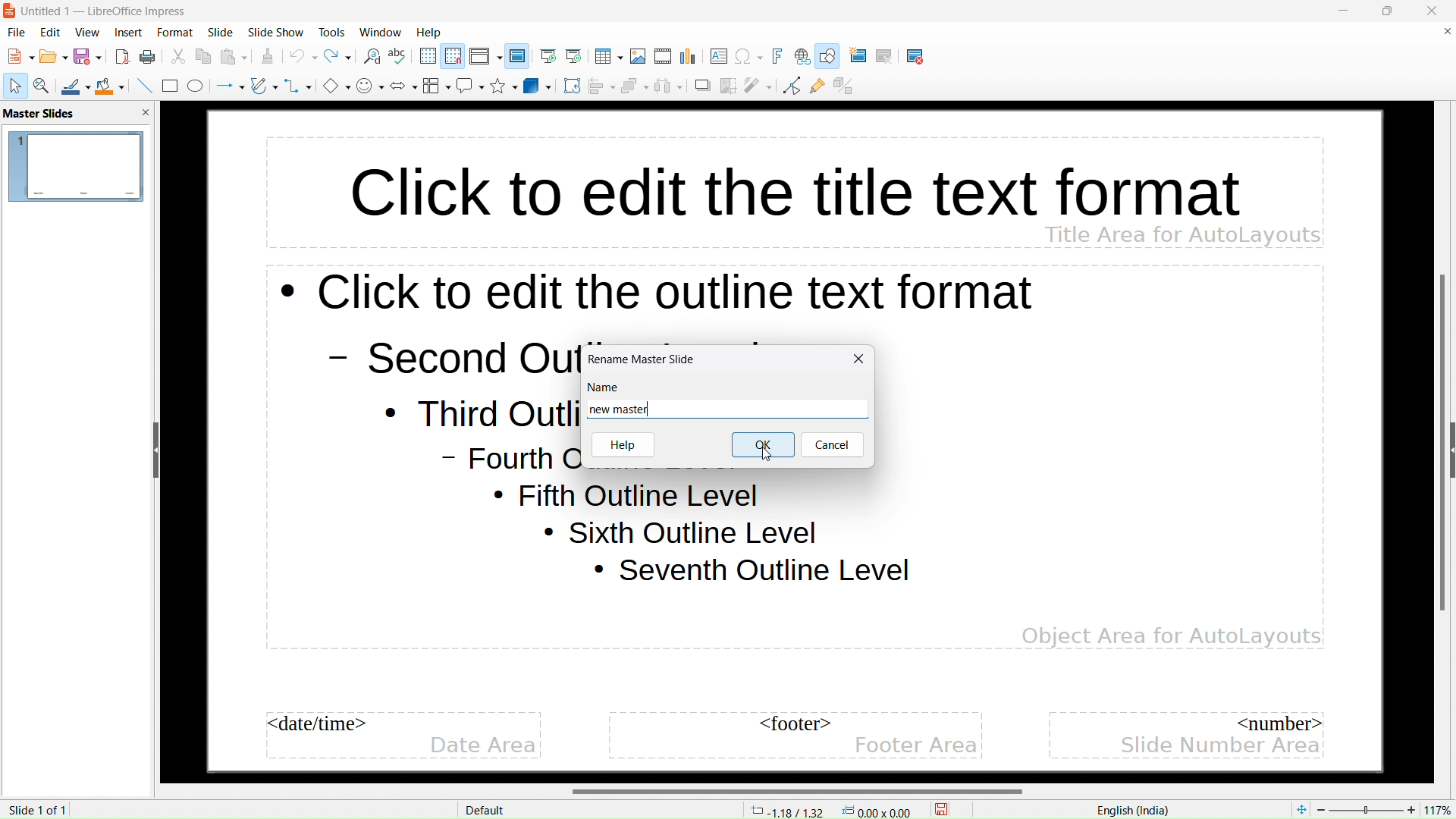 The height and width of the screenshot is (819, 1456). I want to click on start from the first slide, so click(549, 57).